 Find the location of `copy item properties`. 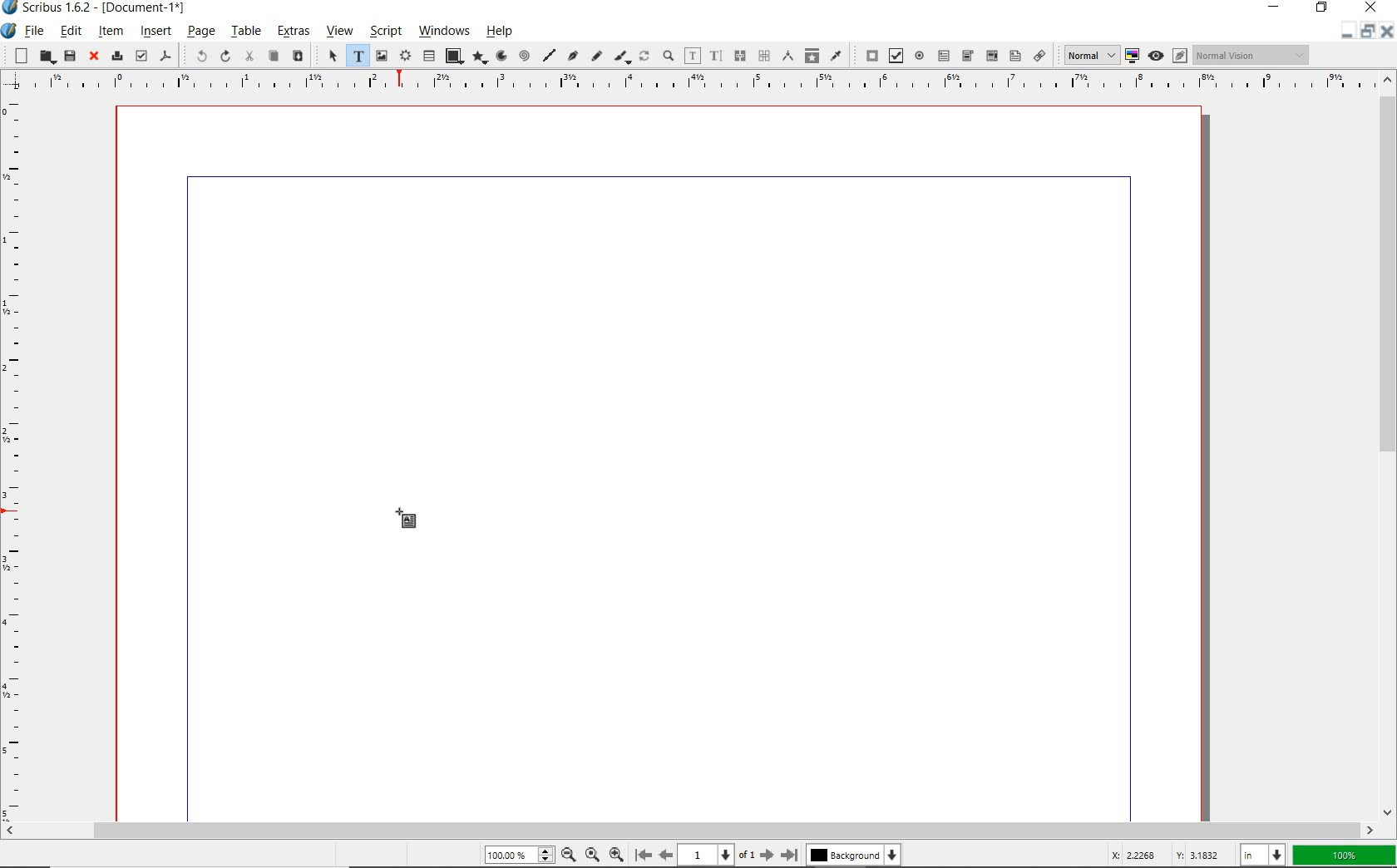

copy item properties is located at coordinates (812, 55).